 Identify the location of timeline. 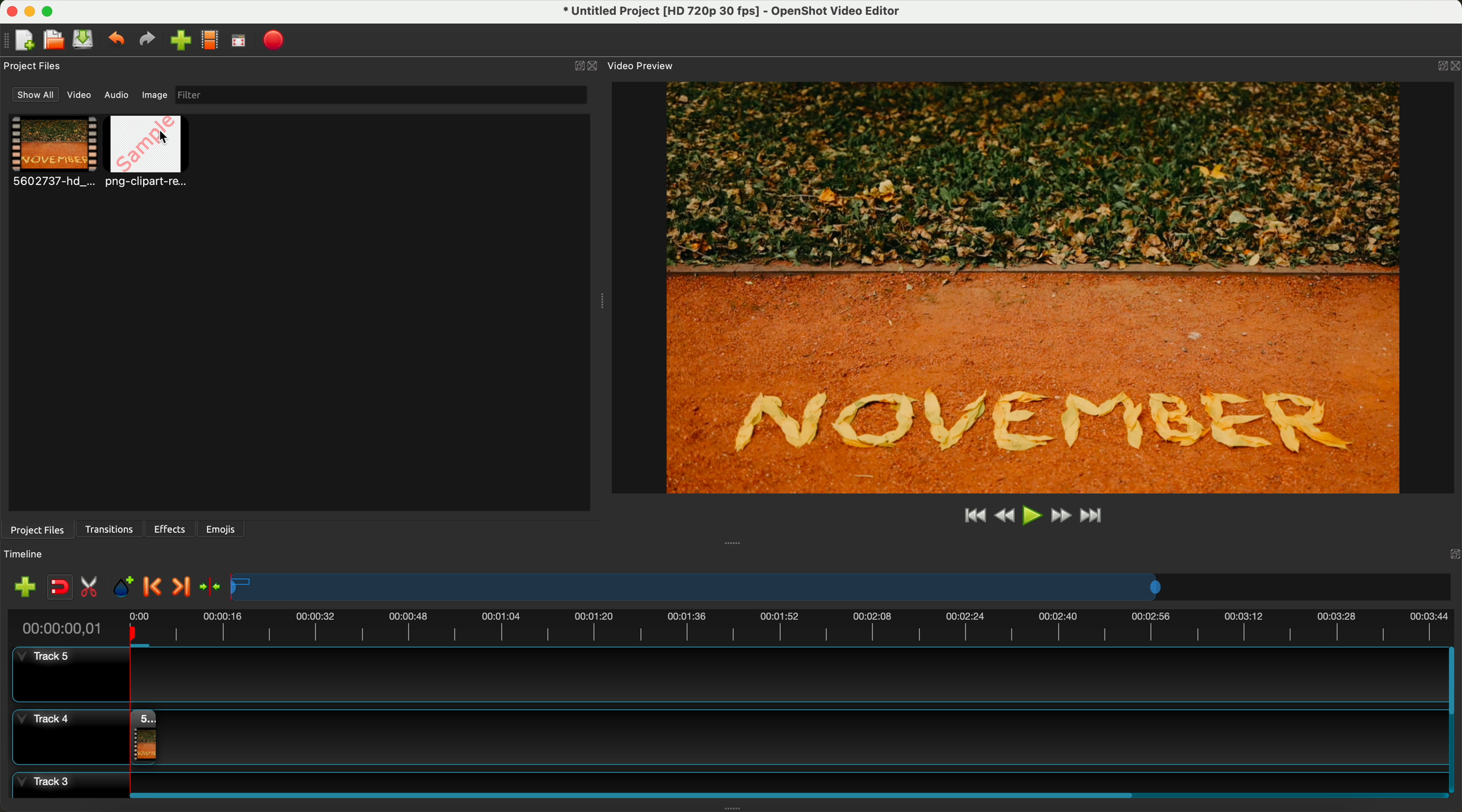
(30, 554).